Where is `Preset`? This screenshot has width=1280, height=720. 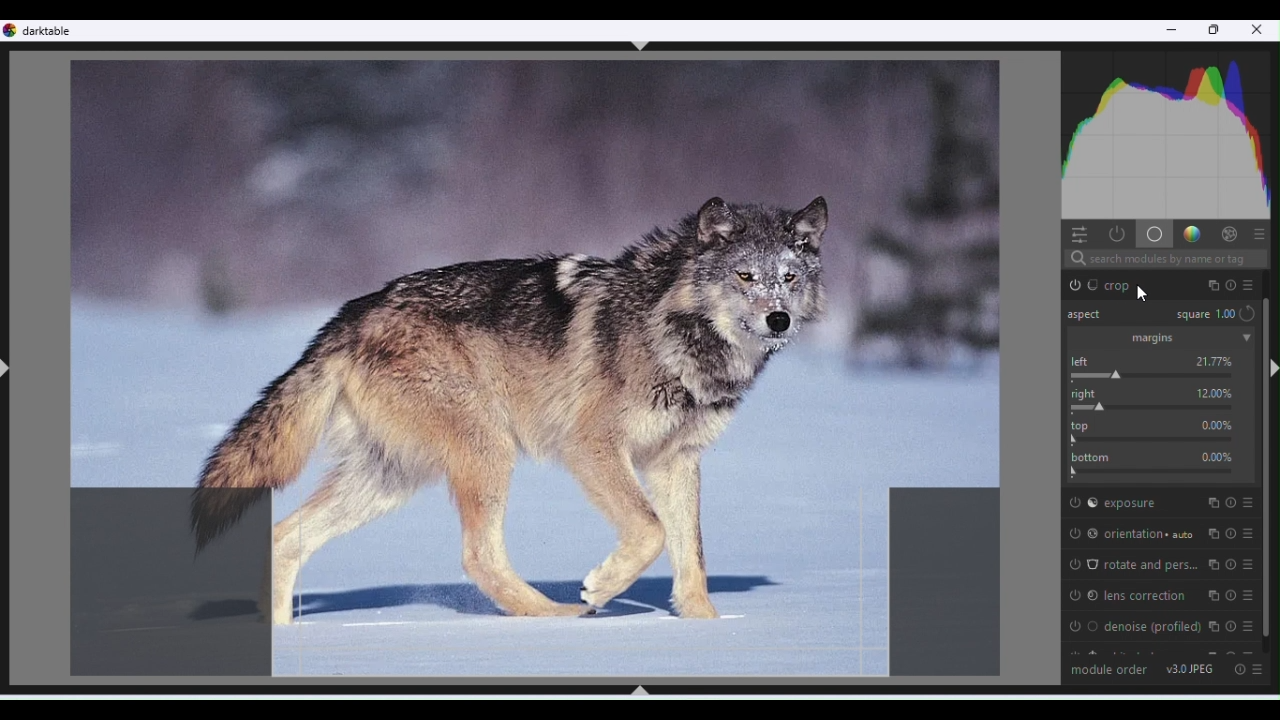
Preset is located at coordinates (1261, 670).